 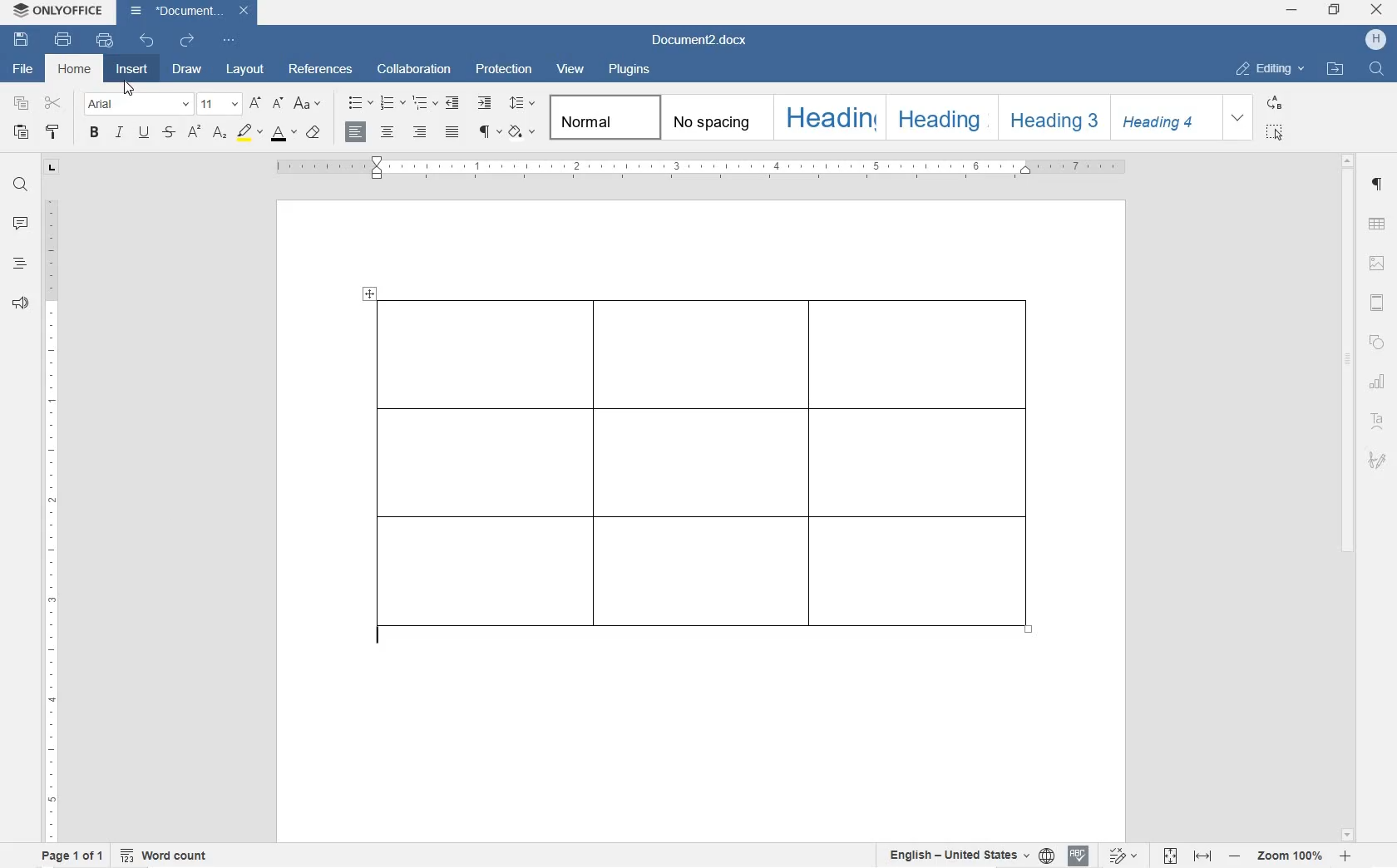 What do you see at coordinates (1378, 303) in the screenshot?
I see `header & footer` at bounding box center [1378, 303].